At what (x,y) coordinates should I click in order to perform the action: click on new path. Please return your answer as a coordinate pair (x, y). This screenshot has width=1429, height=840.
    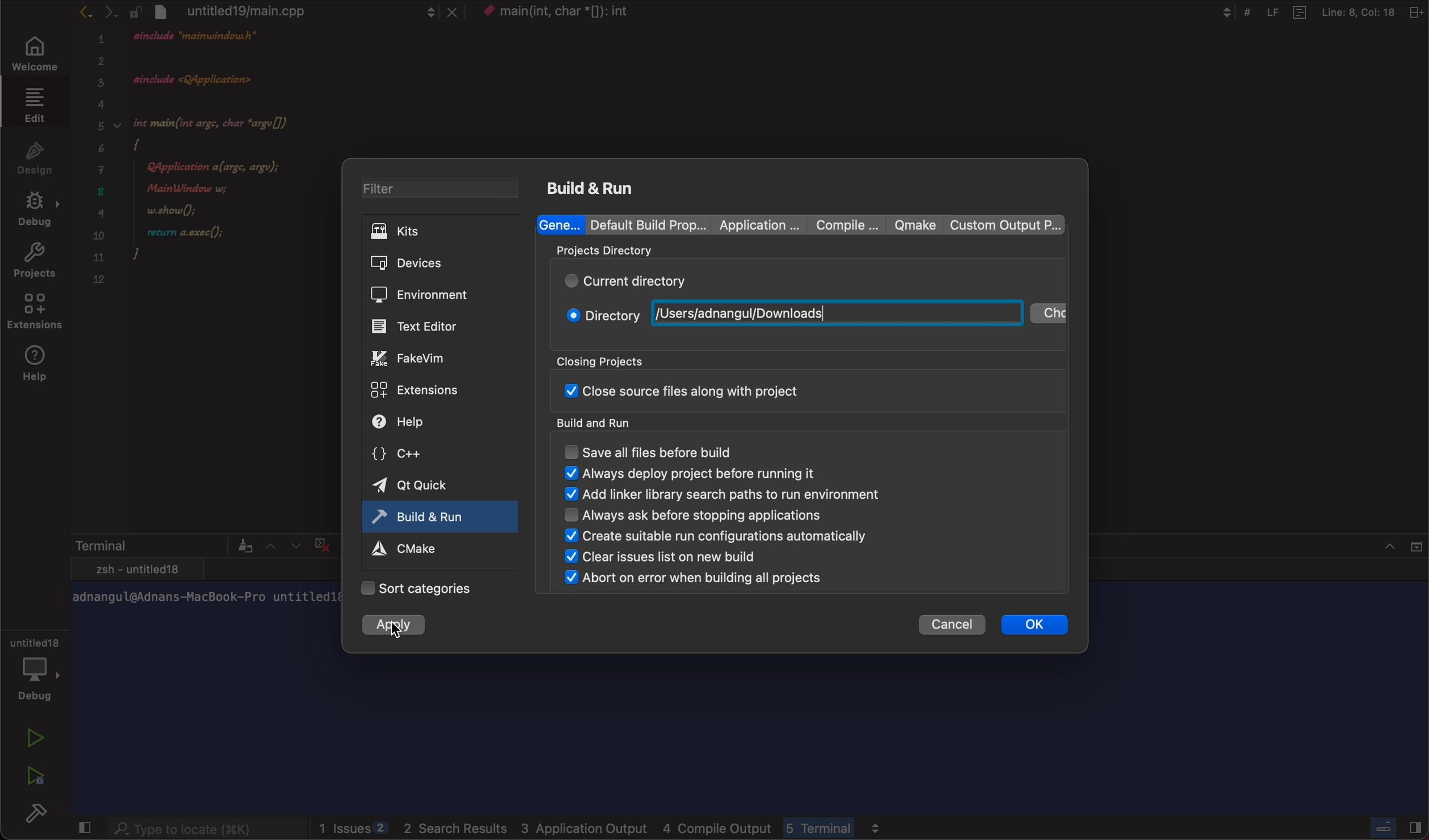
    Looking at the image, I should click on (790, 313).